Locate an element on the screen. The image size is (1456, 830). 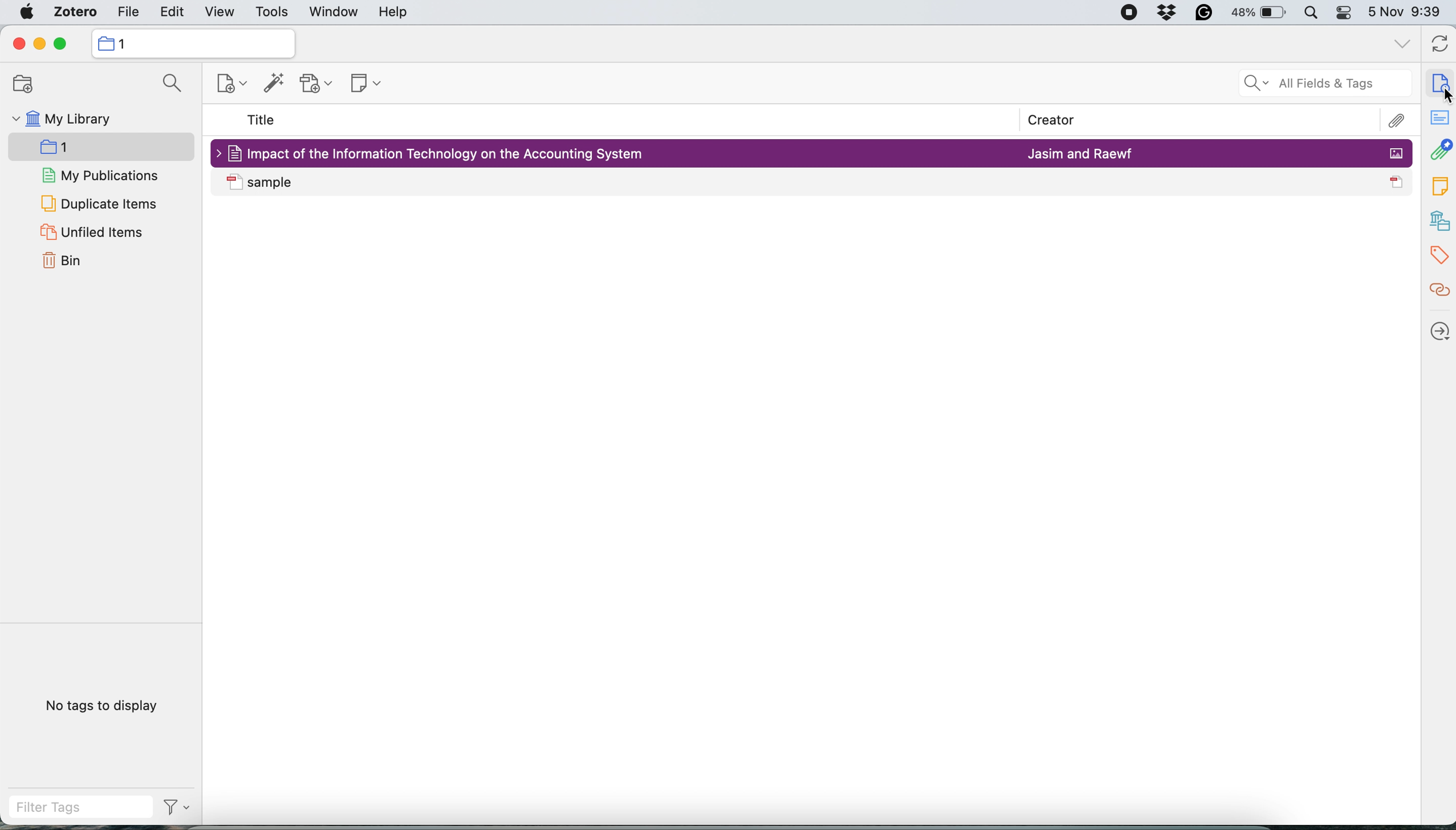
screen recorder is located at coordinates (1129, 13).